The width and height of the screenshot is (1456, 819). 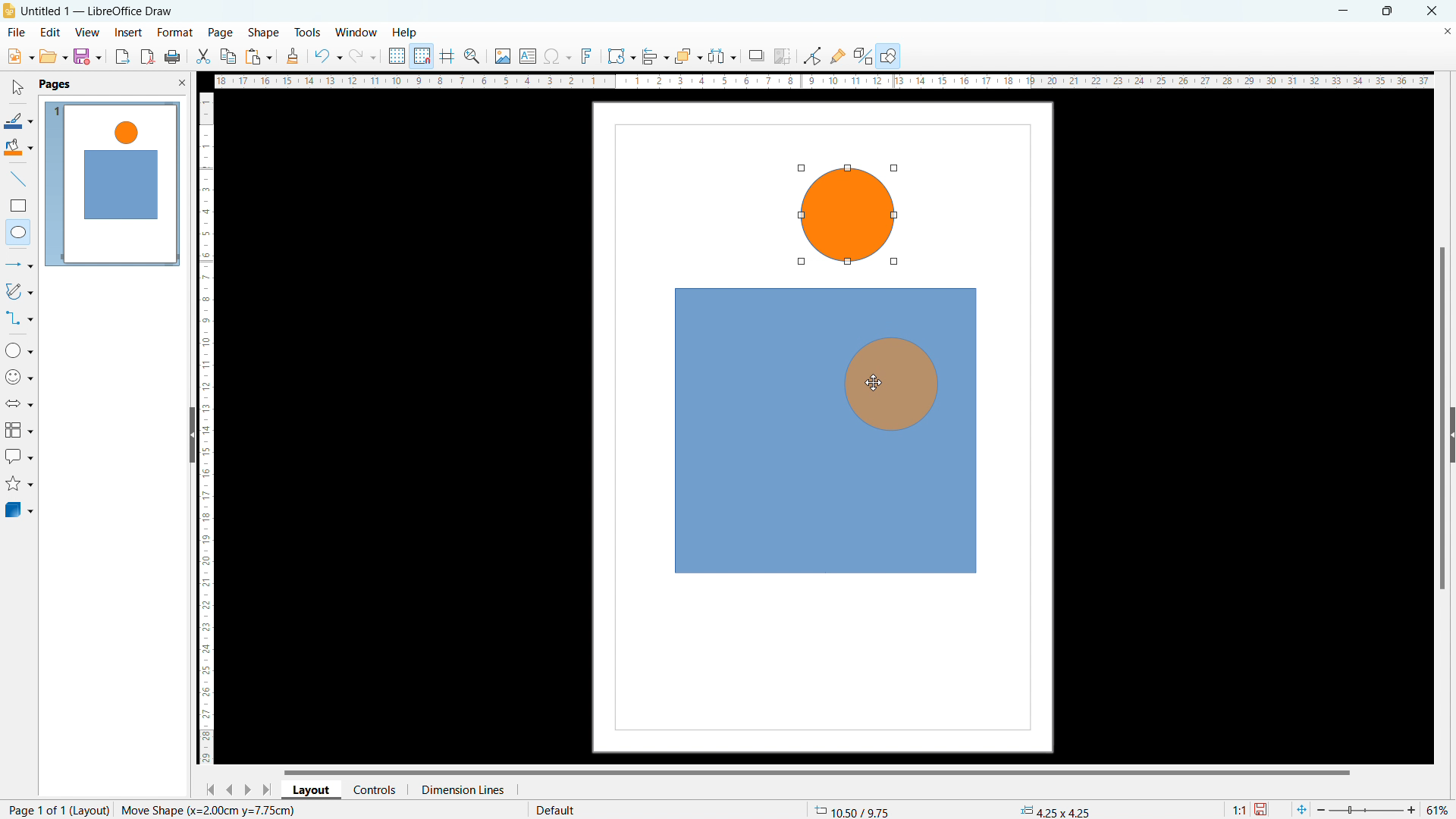 What do you see at coordinates (1237, 808) in the screenshot?
I see `scaling factor` at bounding box center [1237, 808].